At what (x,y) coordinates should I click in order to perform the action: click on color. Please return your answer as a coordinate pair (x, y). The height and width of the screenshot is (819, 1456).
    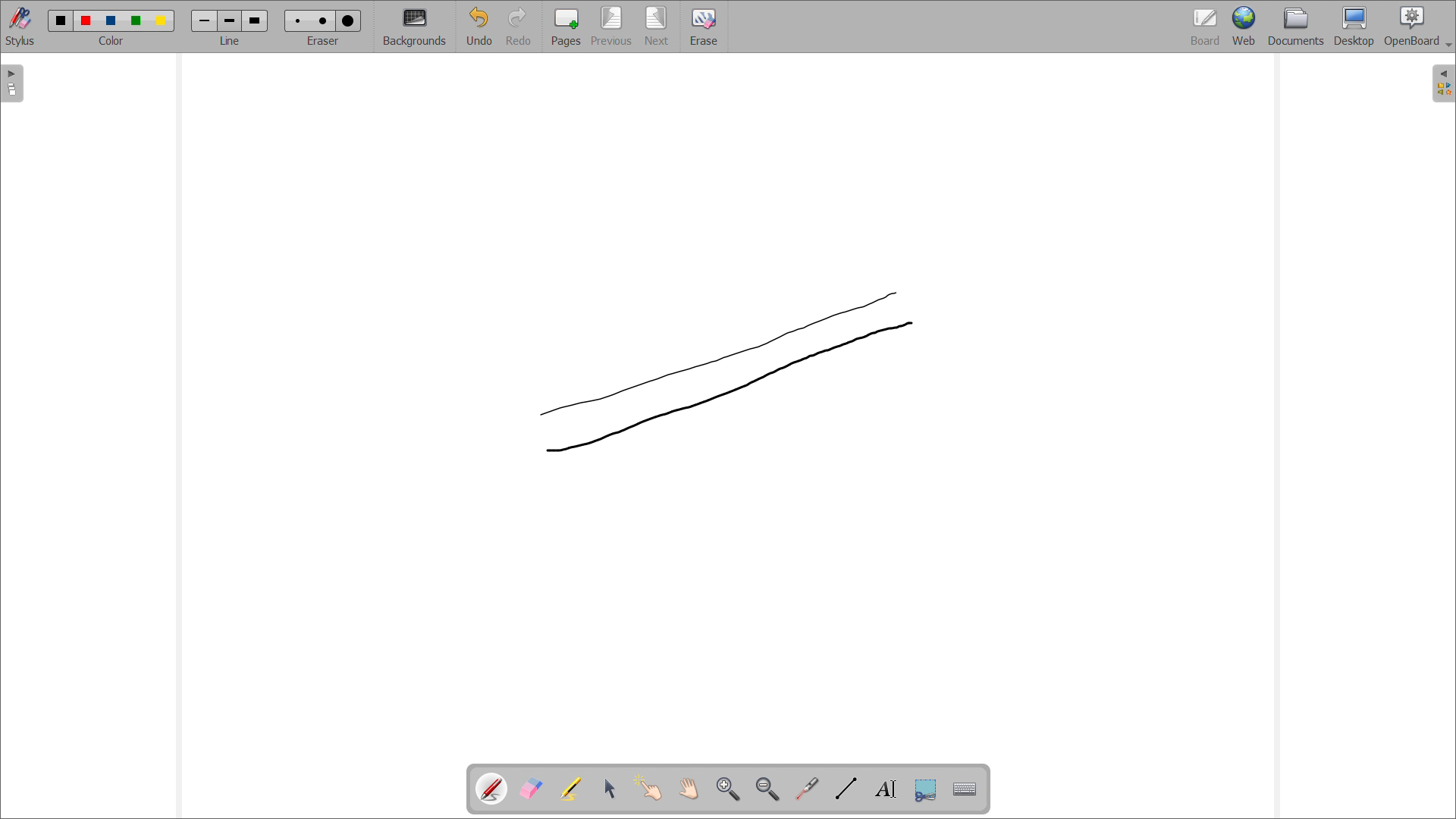
    Looking at the image, I should click on (114, 20).